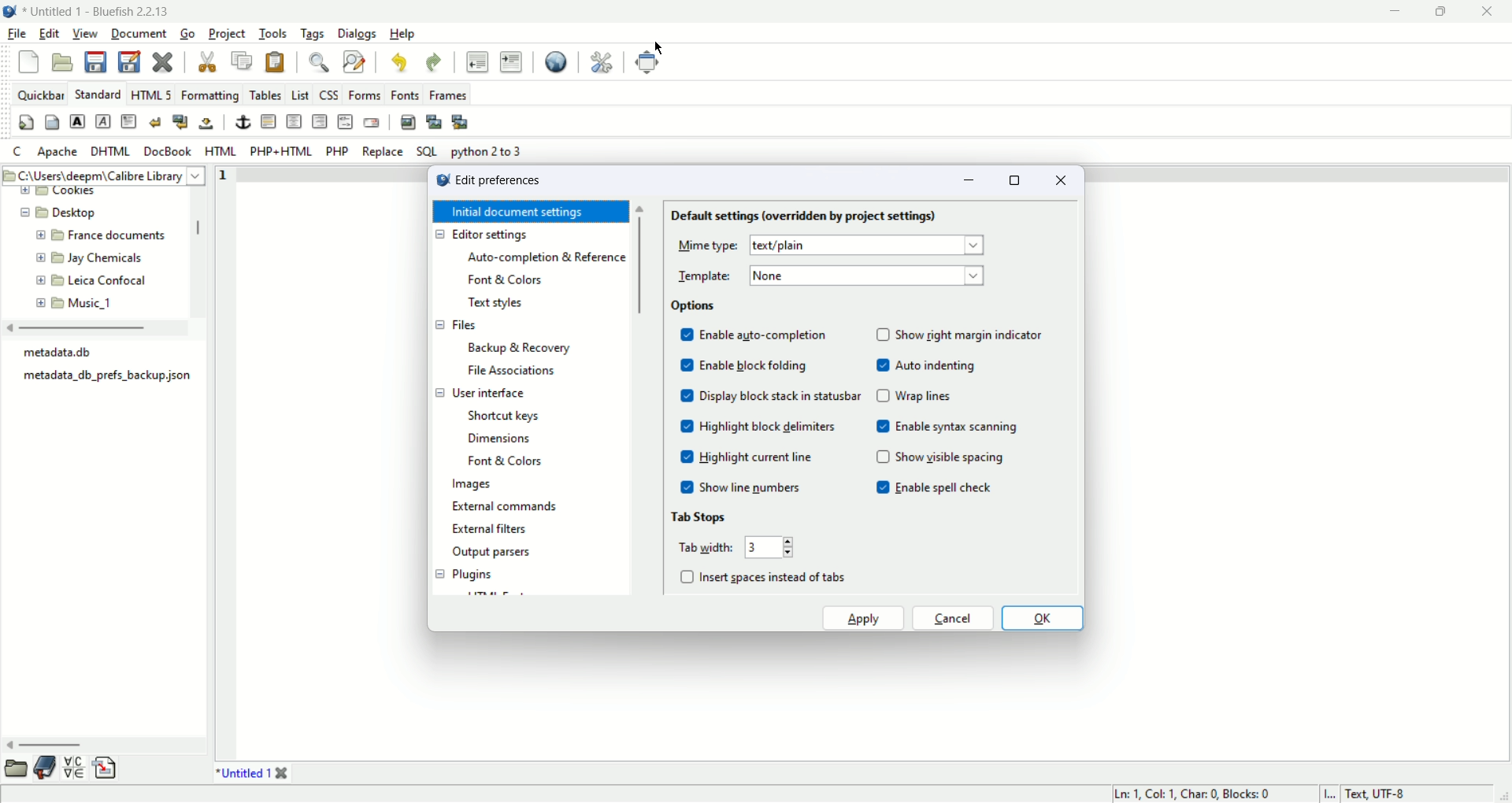  What do you see at coordinates (460, 325) in the screenshot?
I see `Filess` at bounding box center [460, 325].